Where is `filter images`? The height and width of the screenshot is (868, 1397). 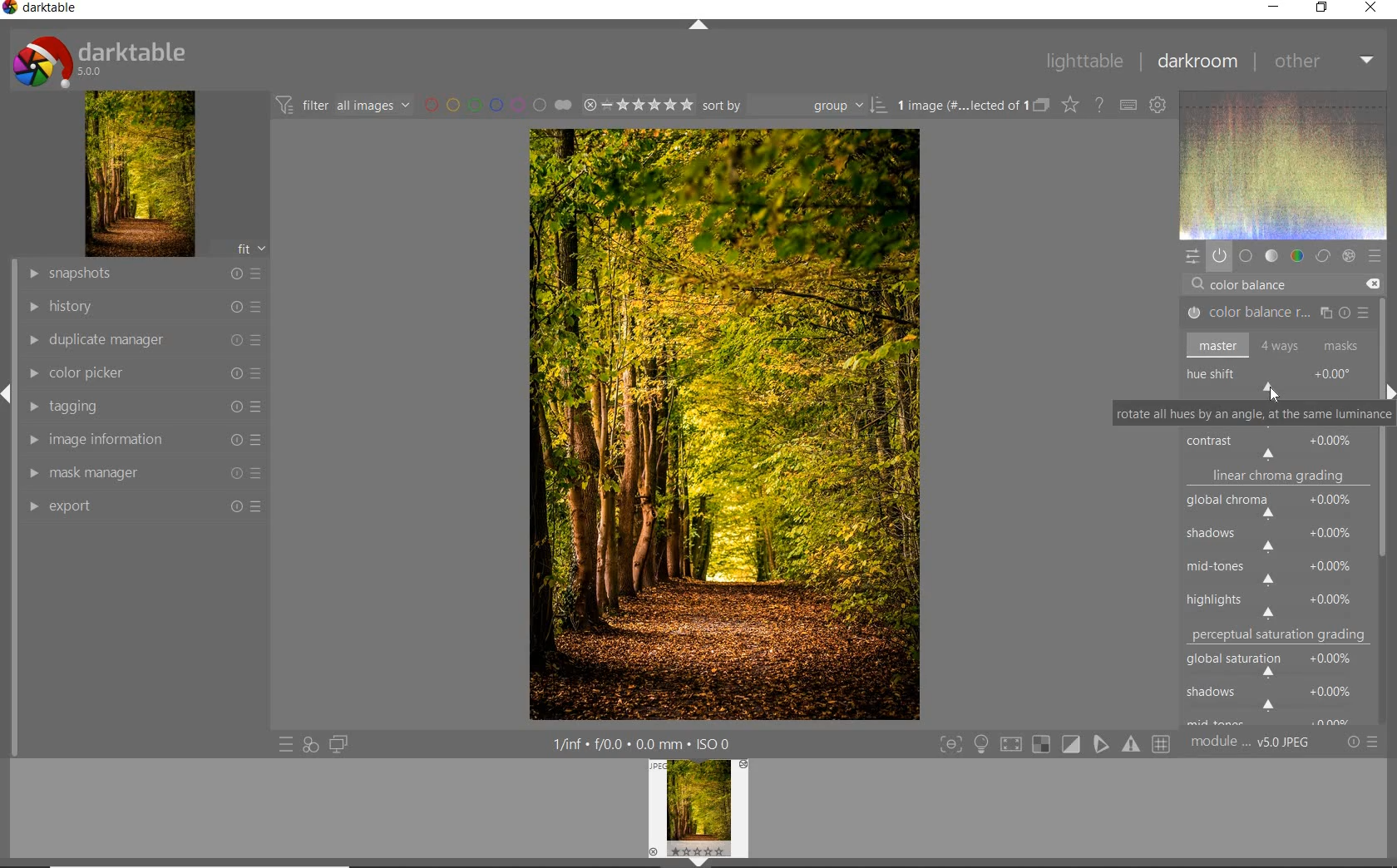
filter images is located at coordinates (342, 106).